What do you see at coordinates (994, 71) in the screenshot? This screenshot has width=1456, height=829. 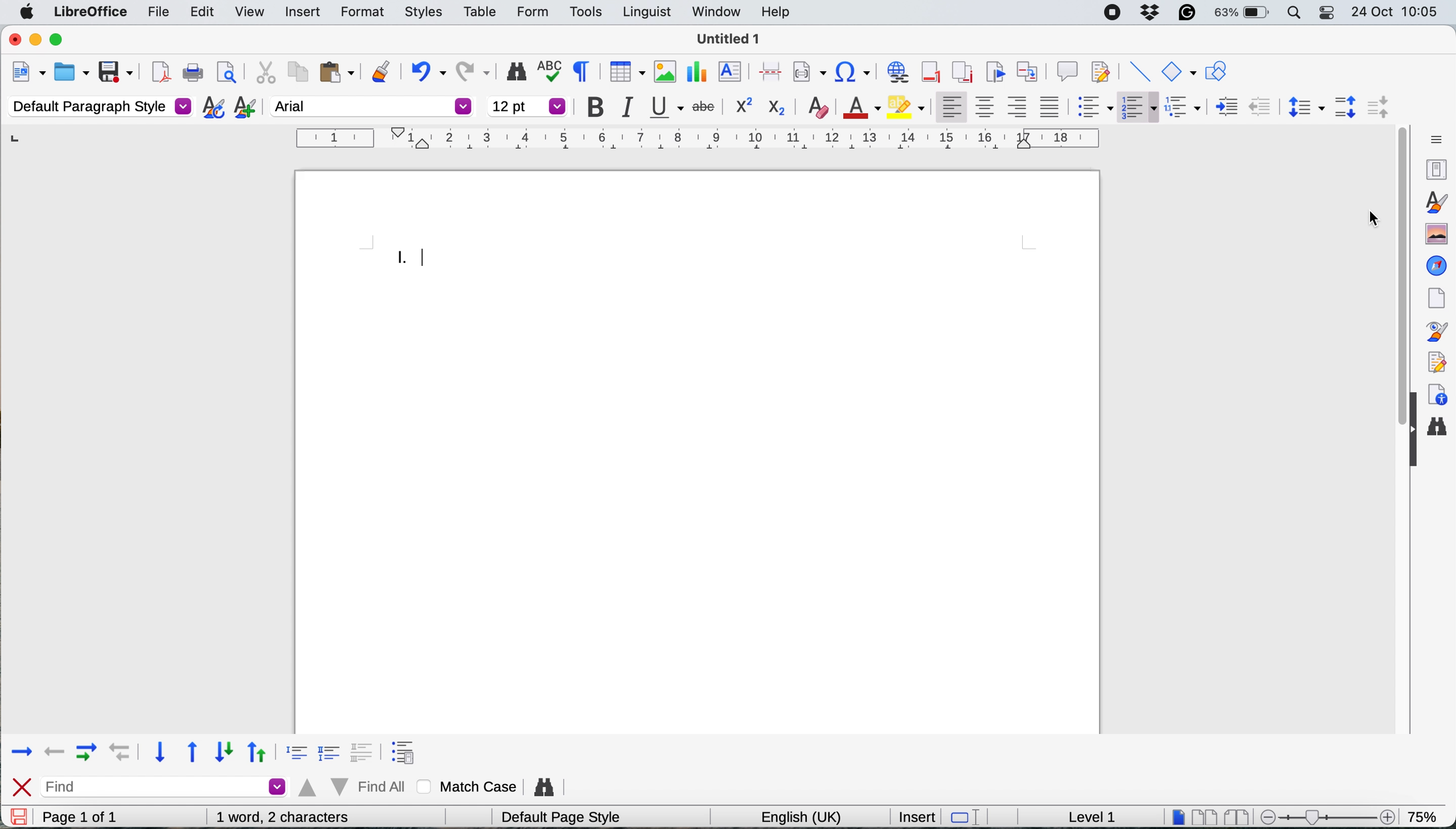 I see `insert bookmark` at bounding box center [994, 71].